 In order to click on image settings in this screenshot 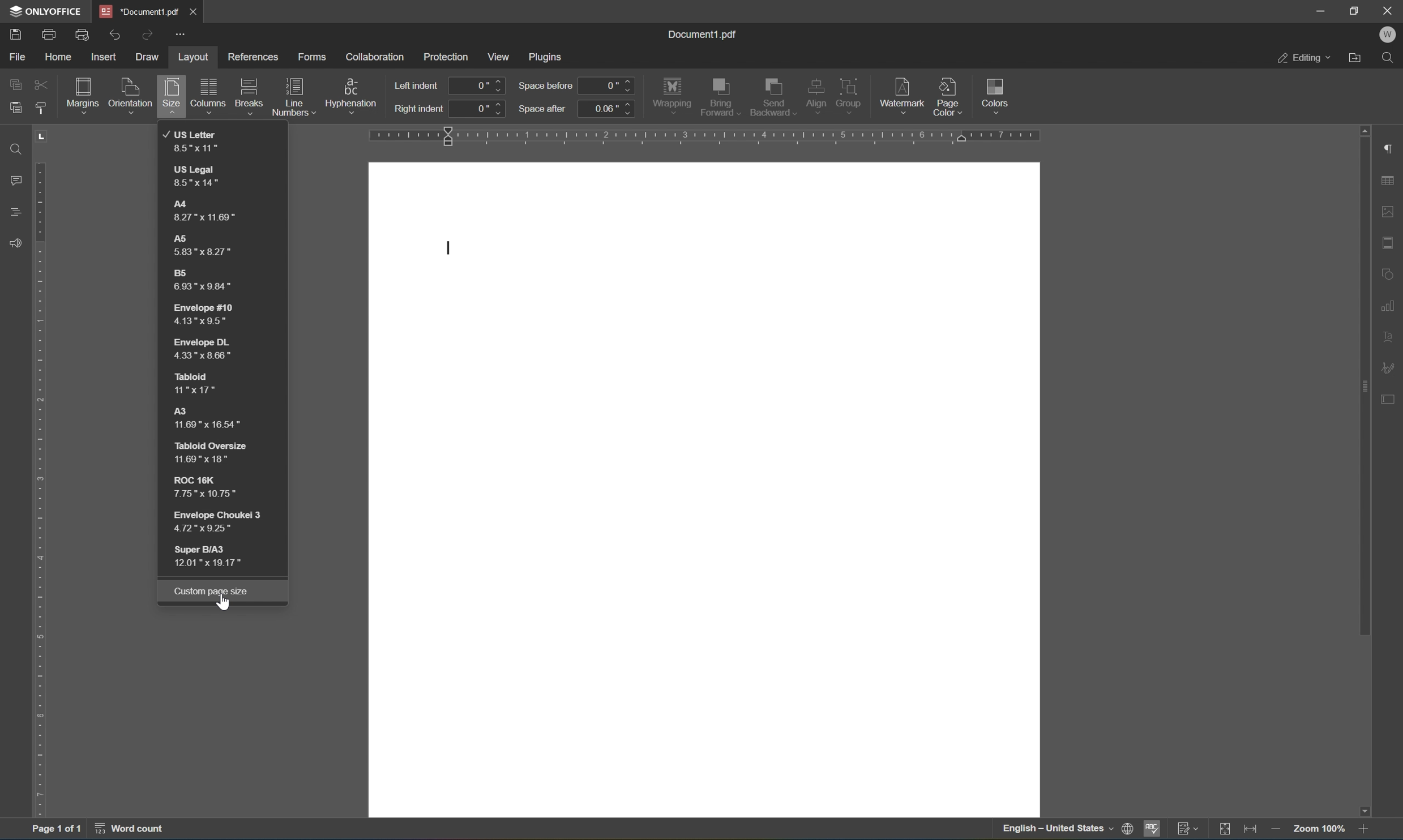, I will do `click(1389, 213)`.